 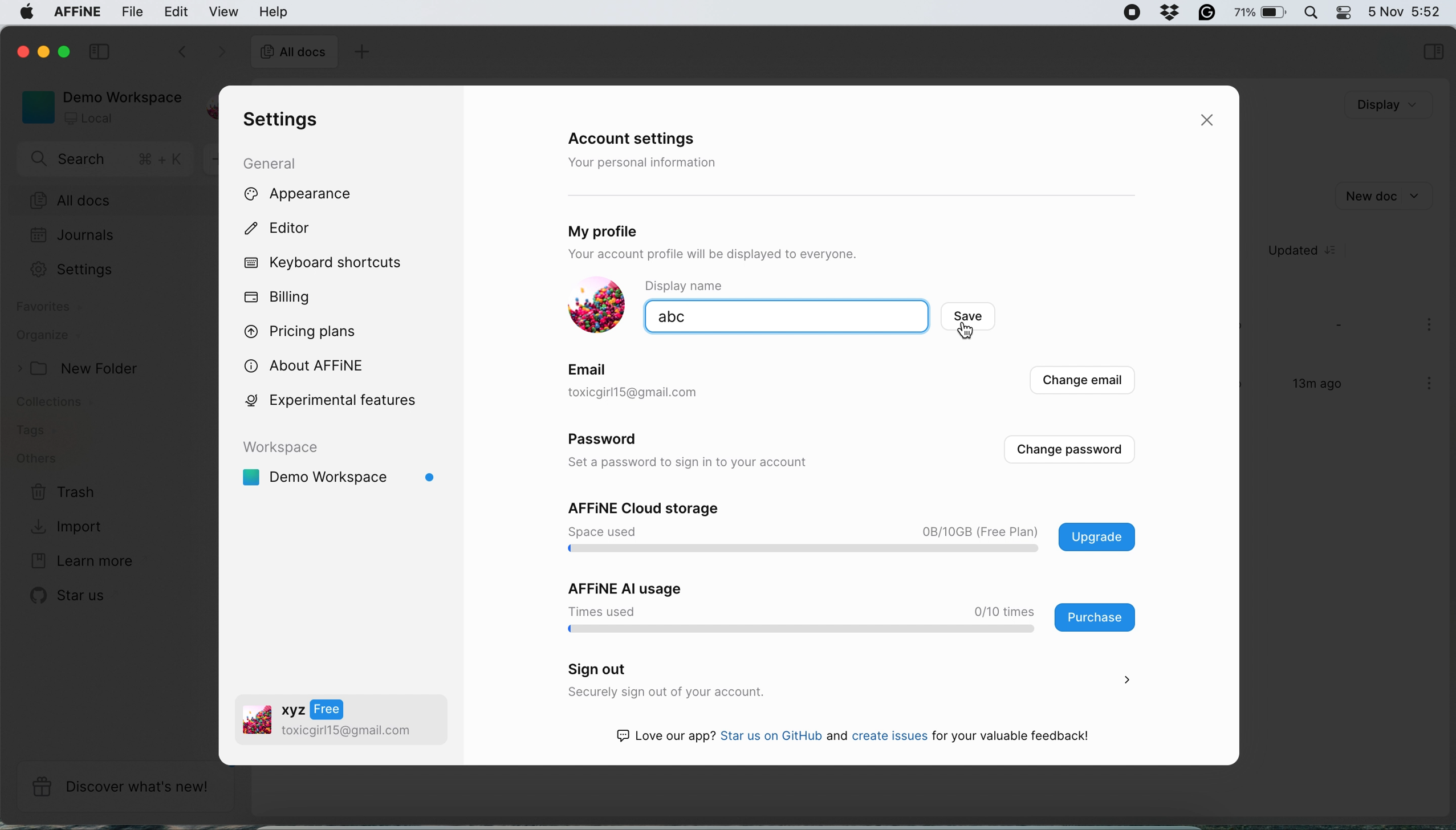 I want to click on search, so click(x=108, y=161).